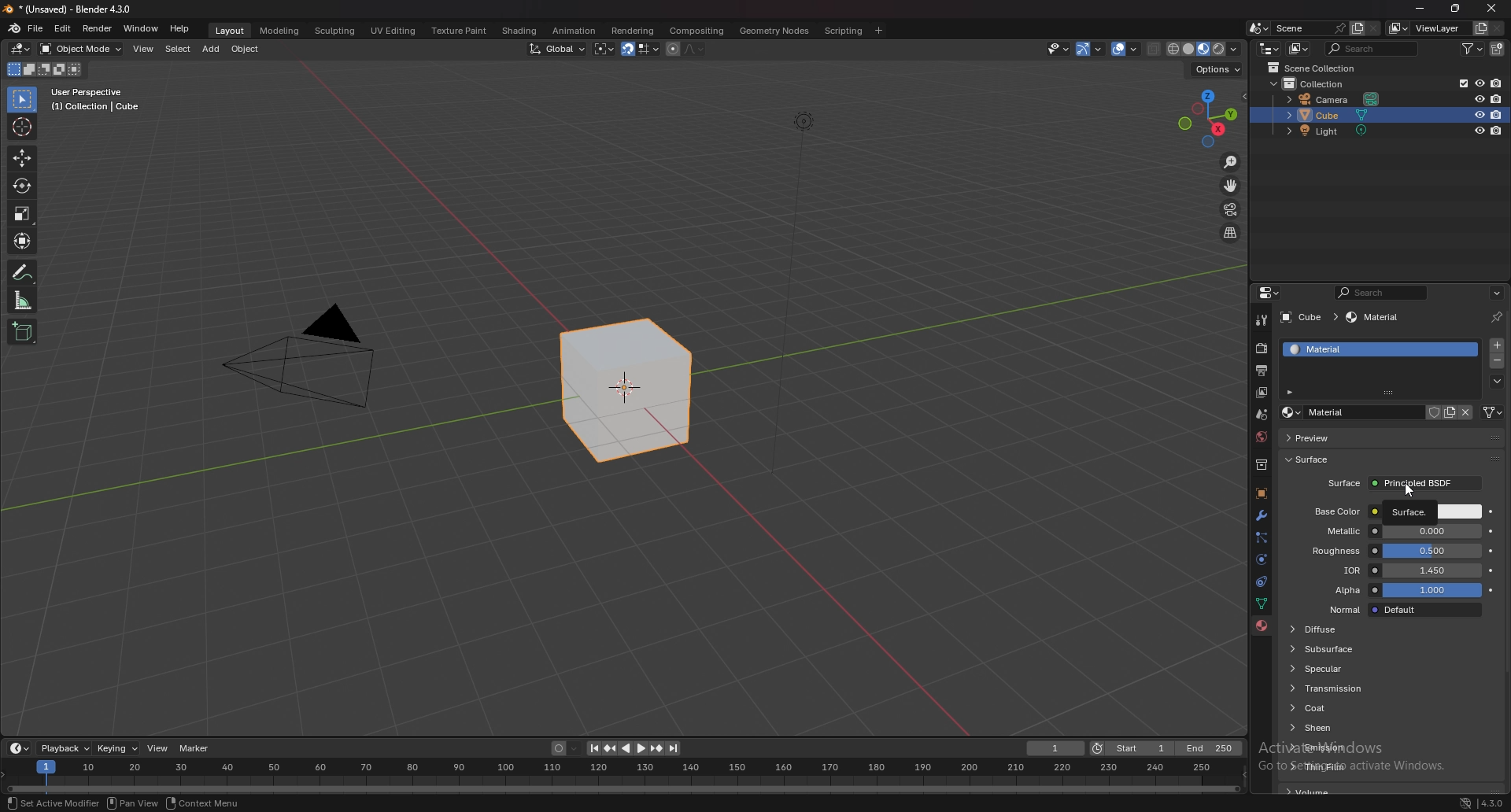 Image resolution: width=1511 pixels, height=812 pixels. I want to click on modeling, so click(279, 30).